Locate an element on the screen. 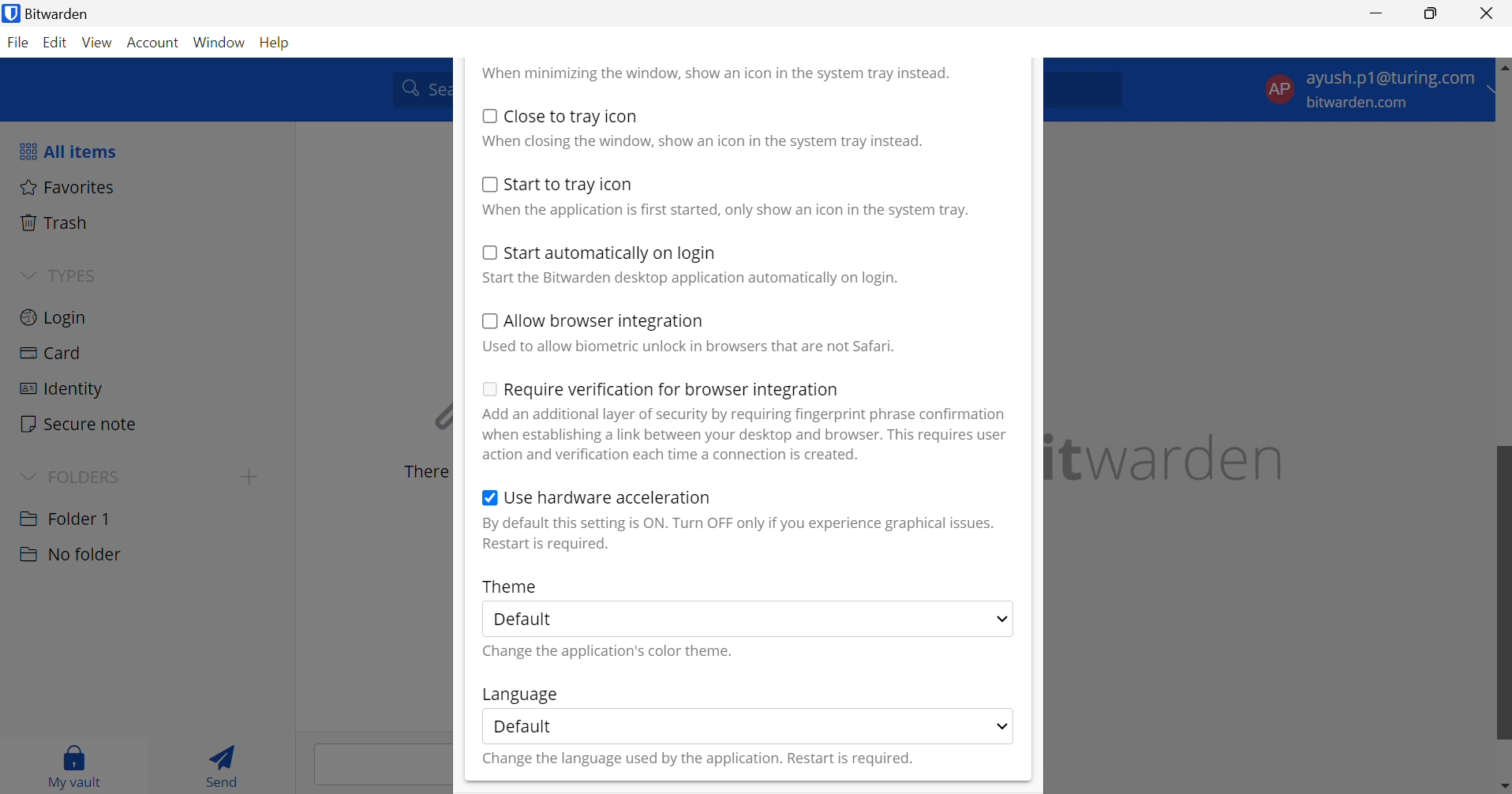 The image size is (1512, 794). Login is located at coordinates (54, 316).